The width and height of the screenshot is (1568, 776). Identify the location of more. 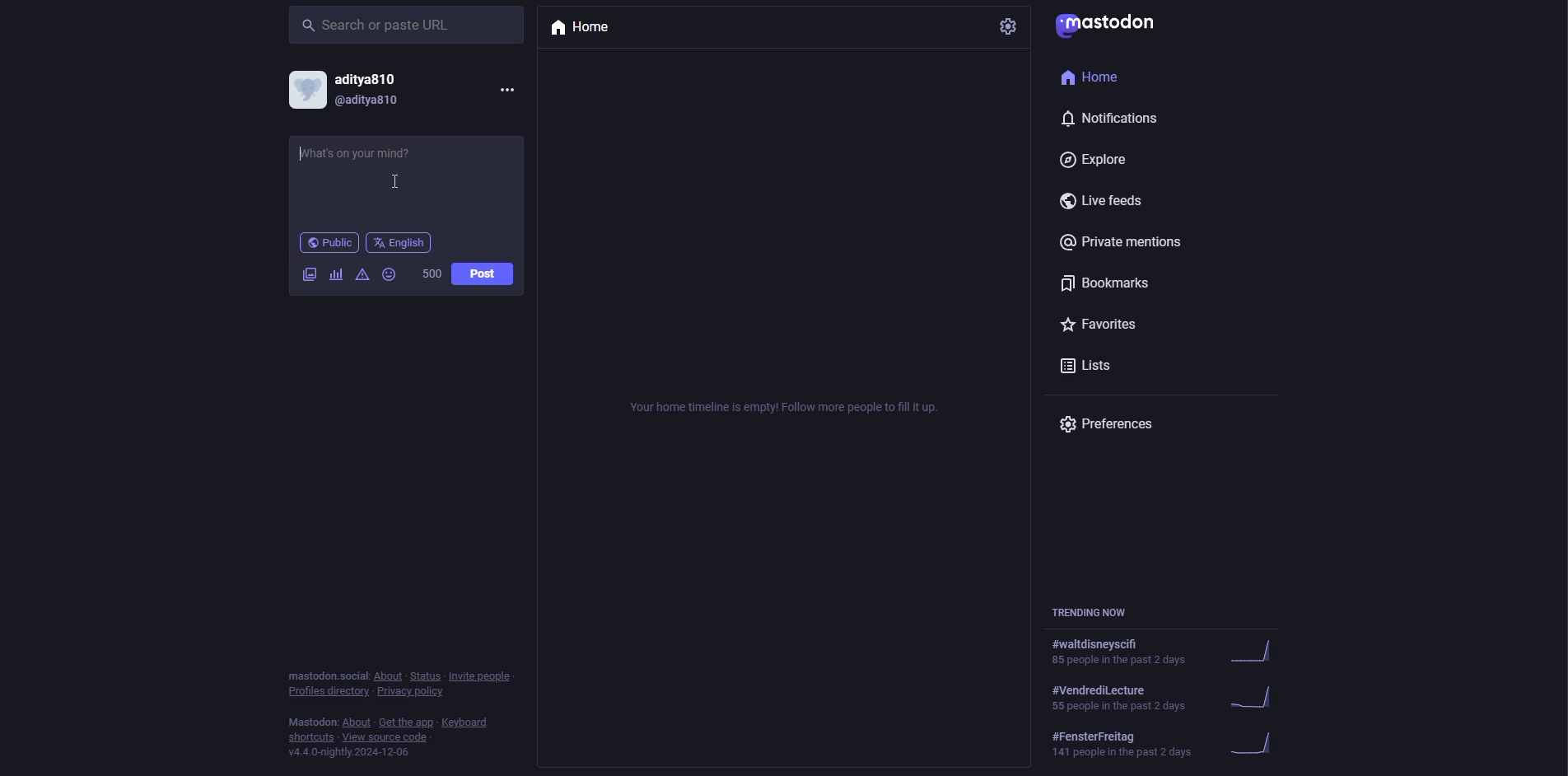
(506, 89).